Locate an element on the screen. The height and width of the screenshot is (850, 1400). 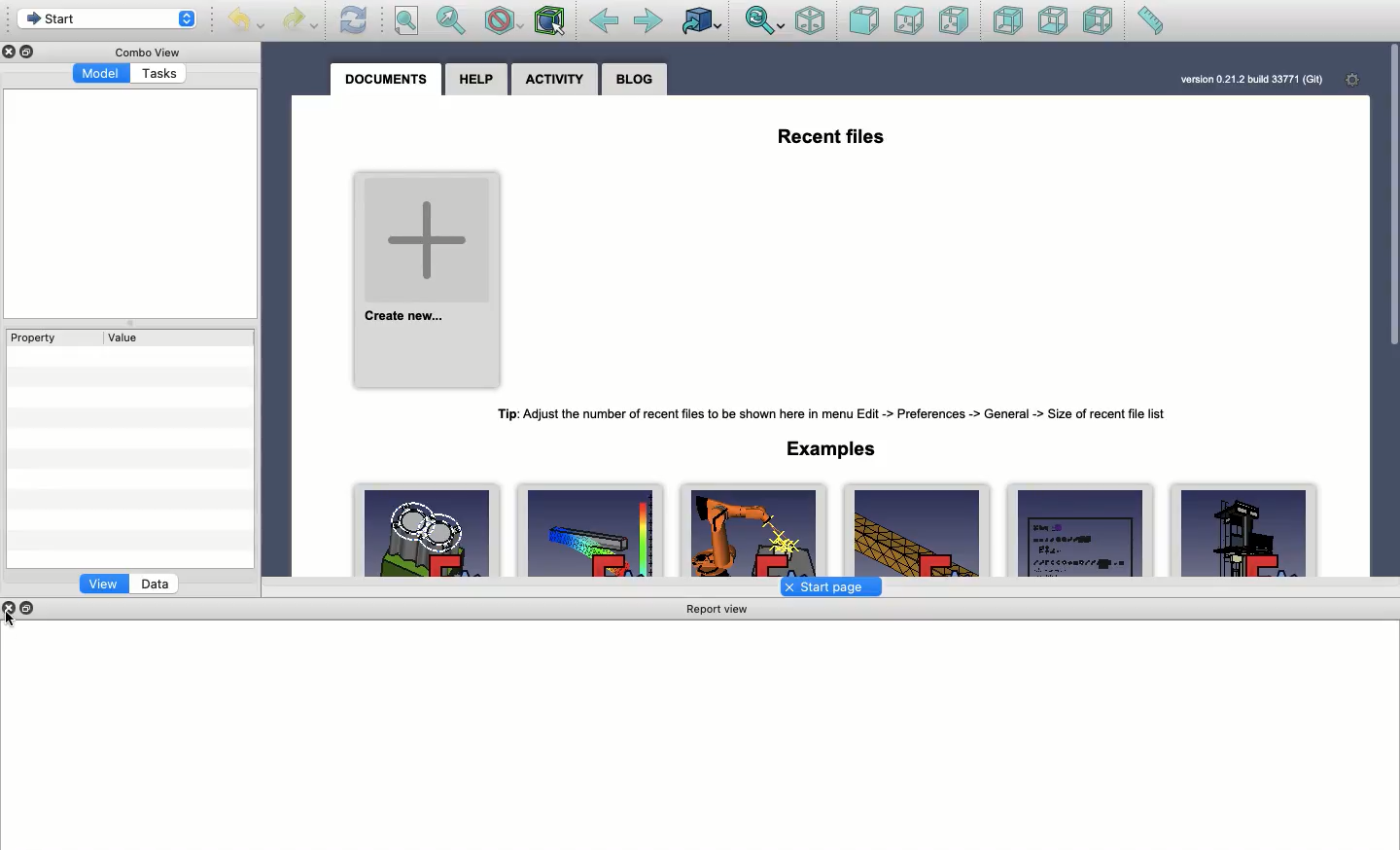
Refresh is located at coordinates (355, 22).